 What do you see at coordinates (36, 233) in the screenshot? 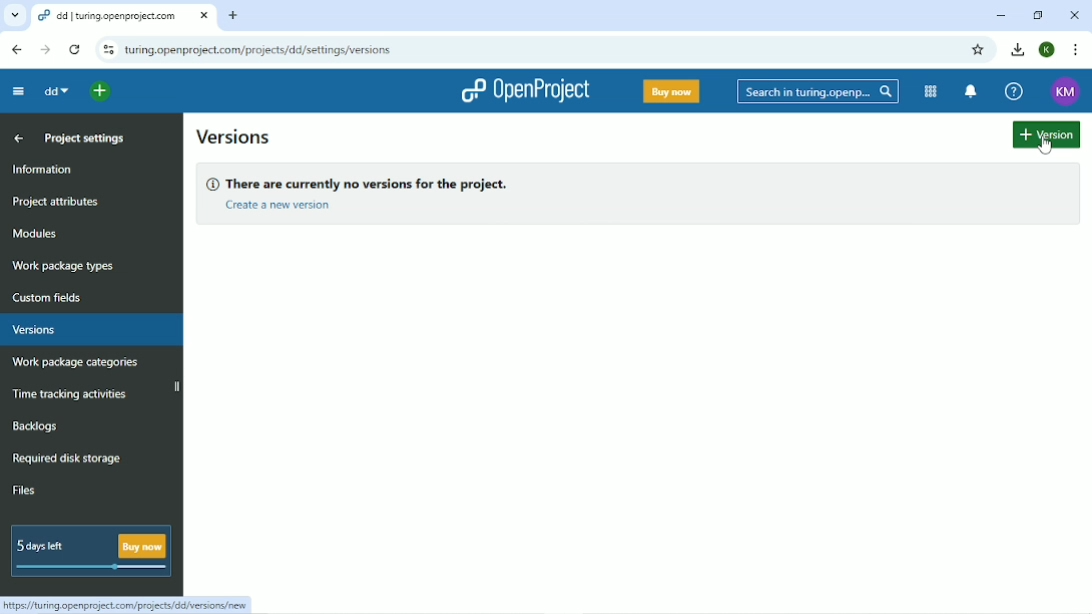
I see `Modules` at bounding box center [36, 233].